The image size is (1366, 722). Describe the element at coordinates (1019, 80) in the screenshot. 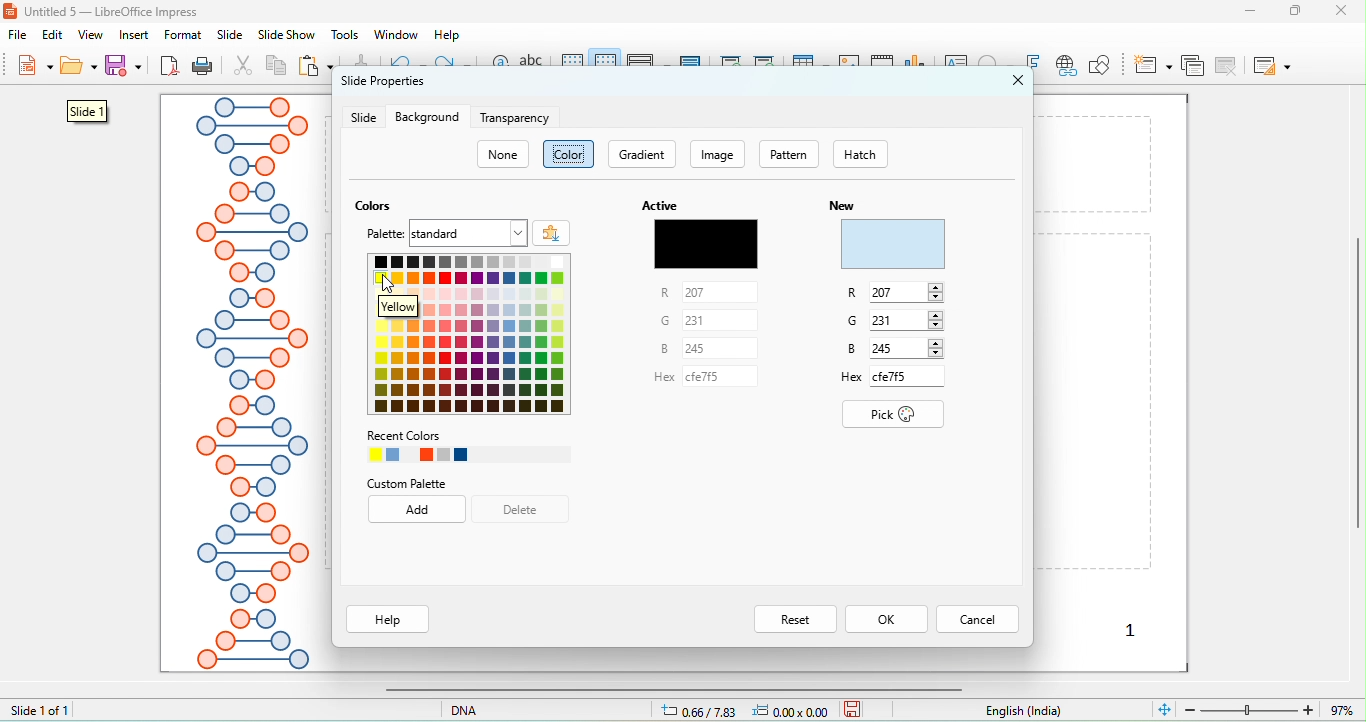

I see `close` at that location.